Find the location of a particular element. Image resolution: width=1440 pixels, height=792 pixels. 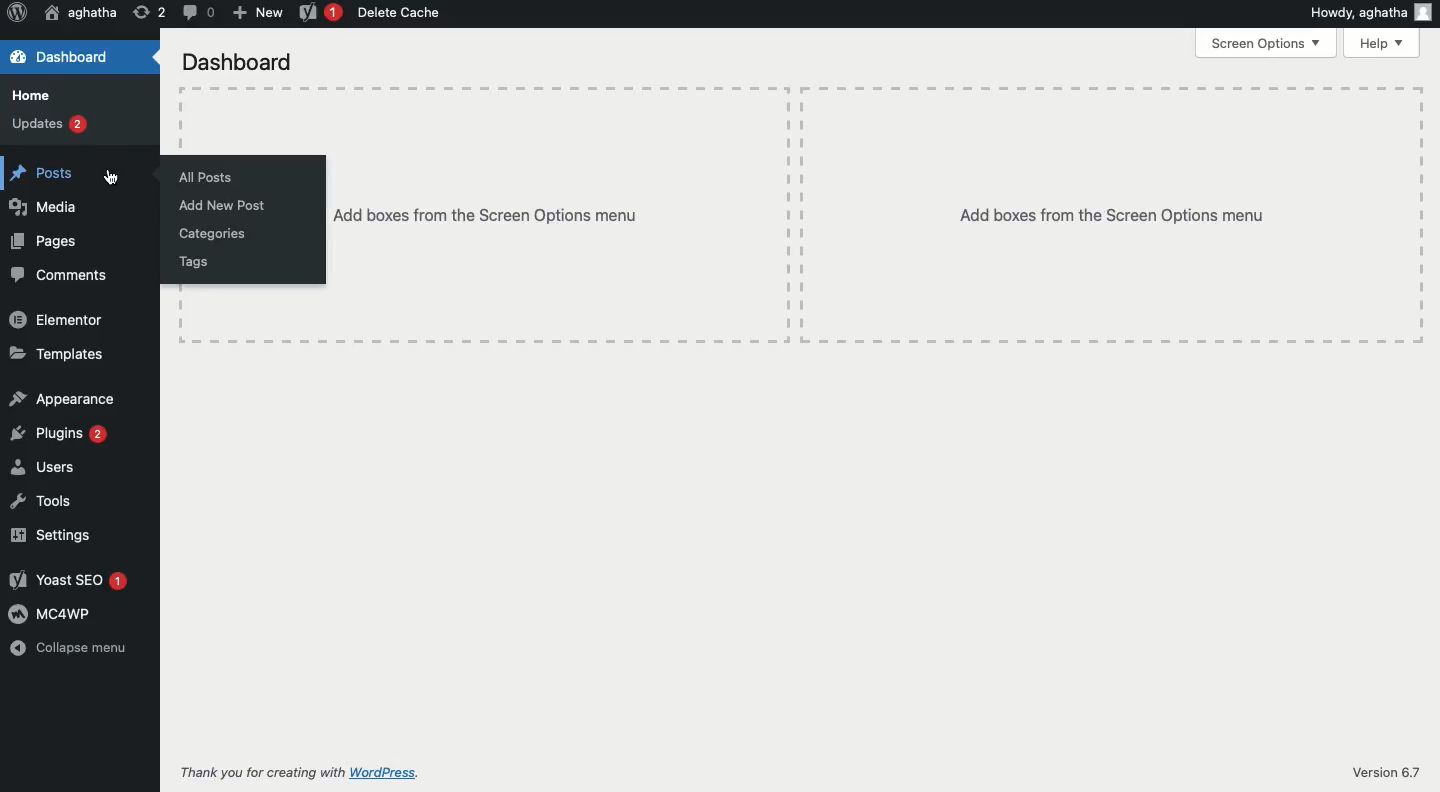

All posts is located at coordinates (210, 175).